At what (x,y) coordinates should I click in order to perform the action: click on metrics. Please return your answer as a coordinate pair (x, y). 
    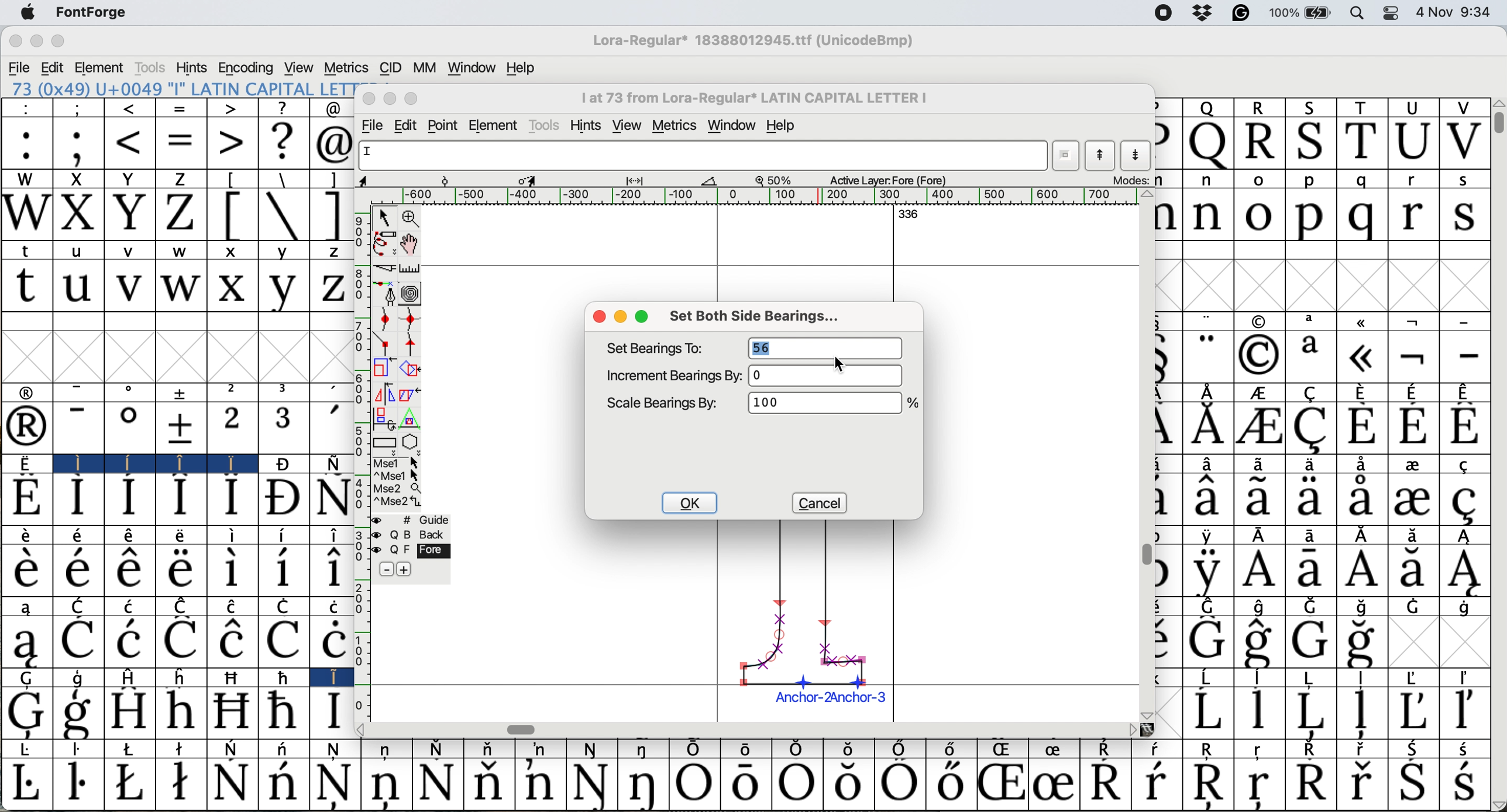
    Looking at the image, I should click on (675, 123).